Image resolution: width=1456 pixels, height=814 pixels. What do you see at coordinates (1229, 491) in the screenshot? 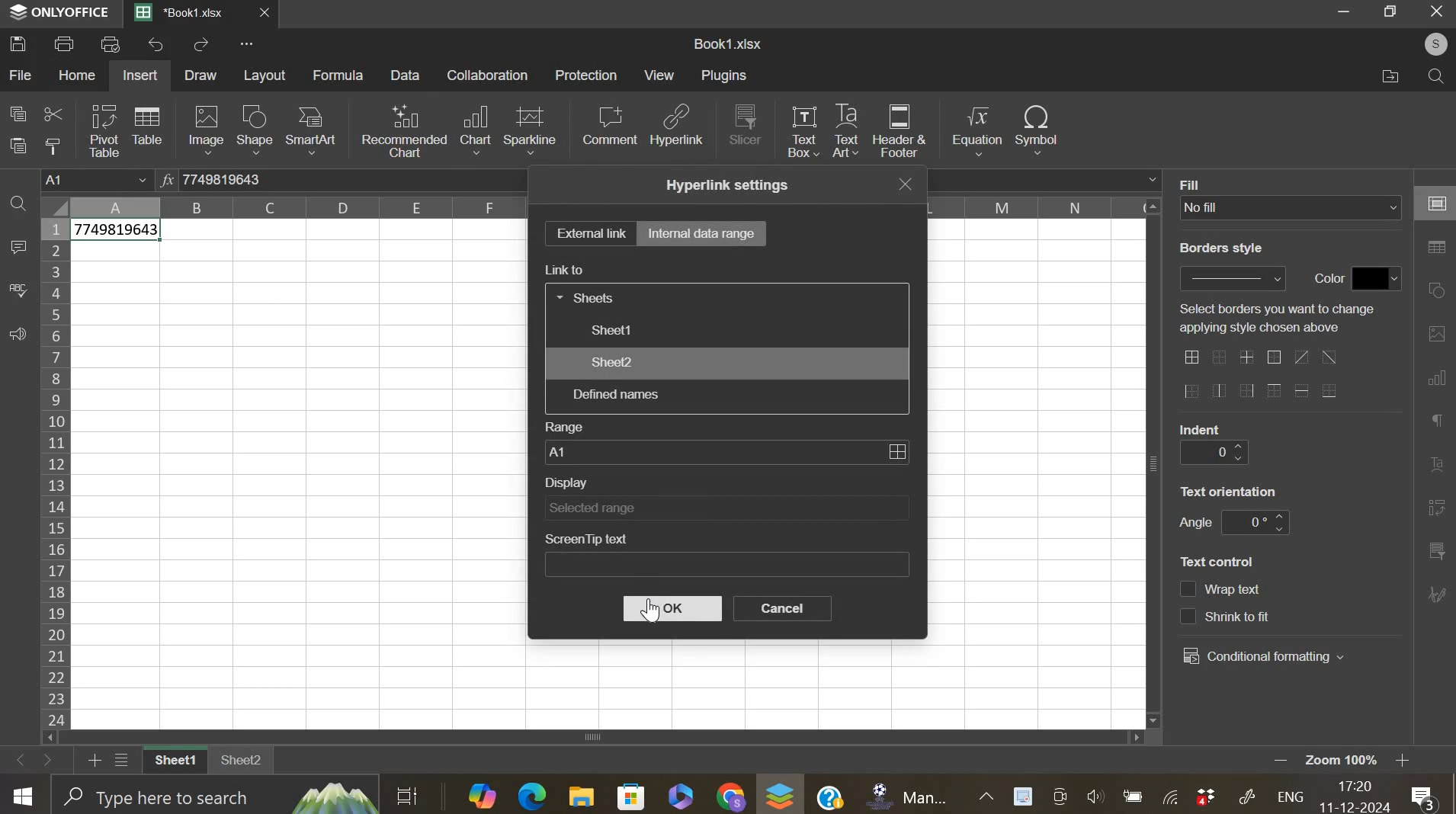
I see `text` at bounding box center [1229, 491].